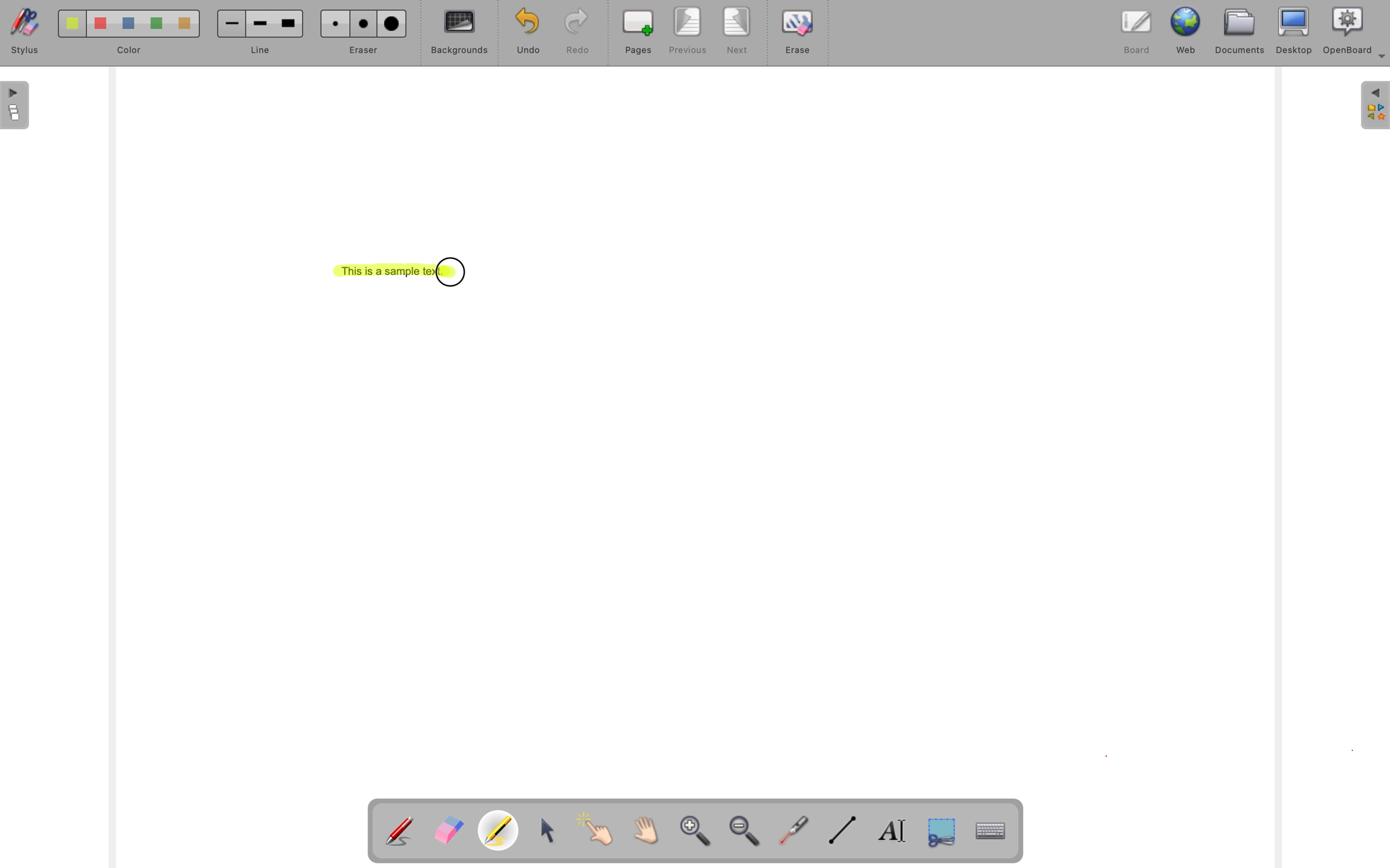  Describe the element at coordinates (747, 831) in the screenshot. I see `zoom out` at that location.